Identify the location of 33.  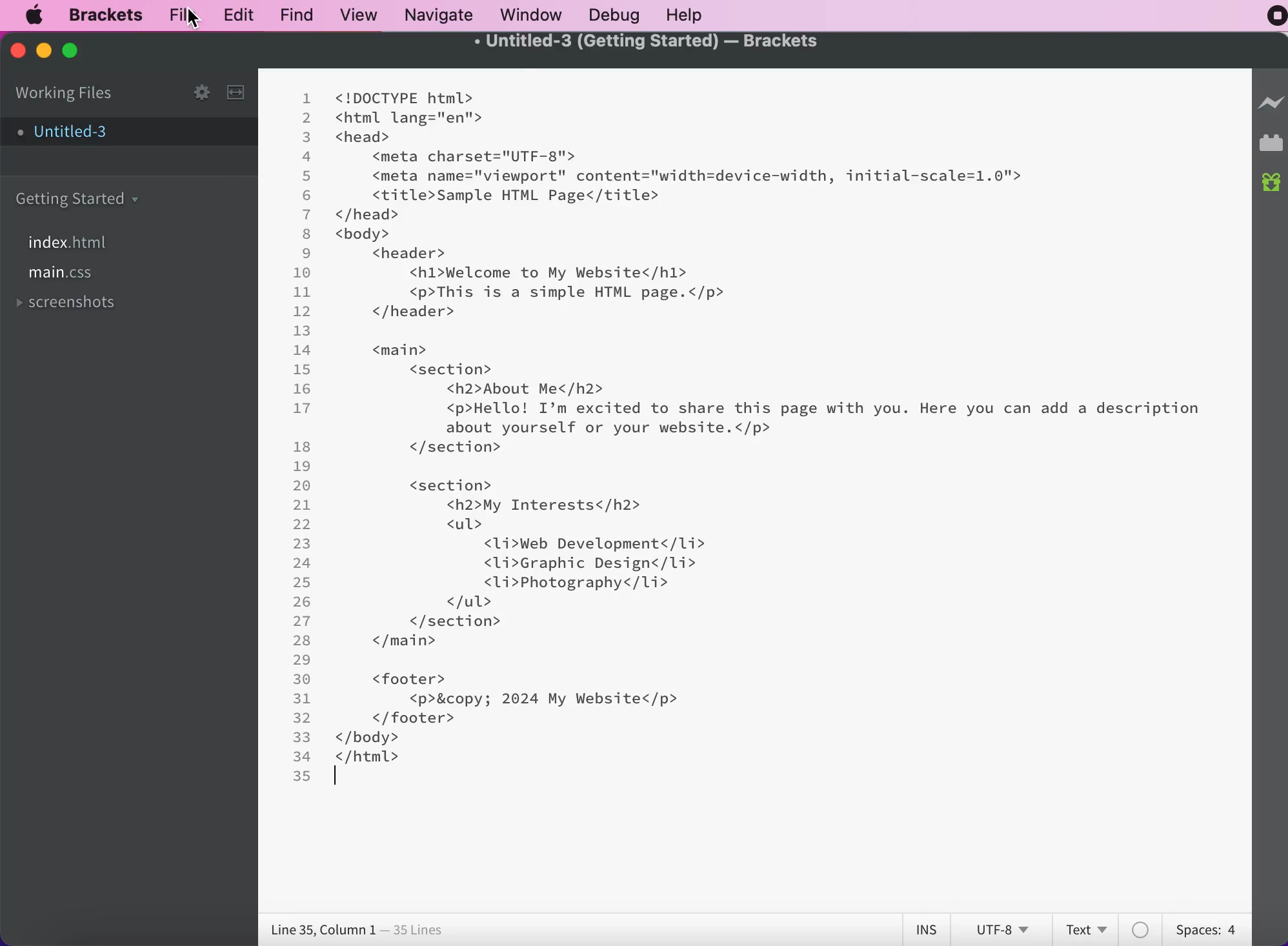
(302, 737).